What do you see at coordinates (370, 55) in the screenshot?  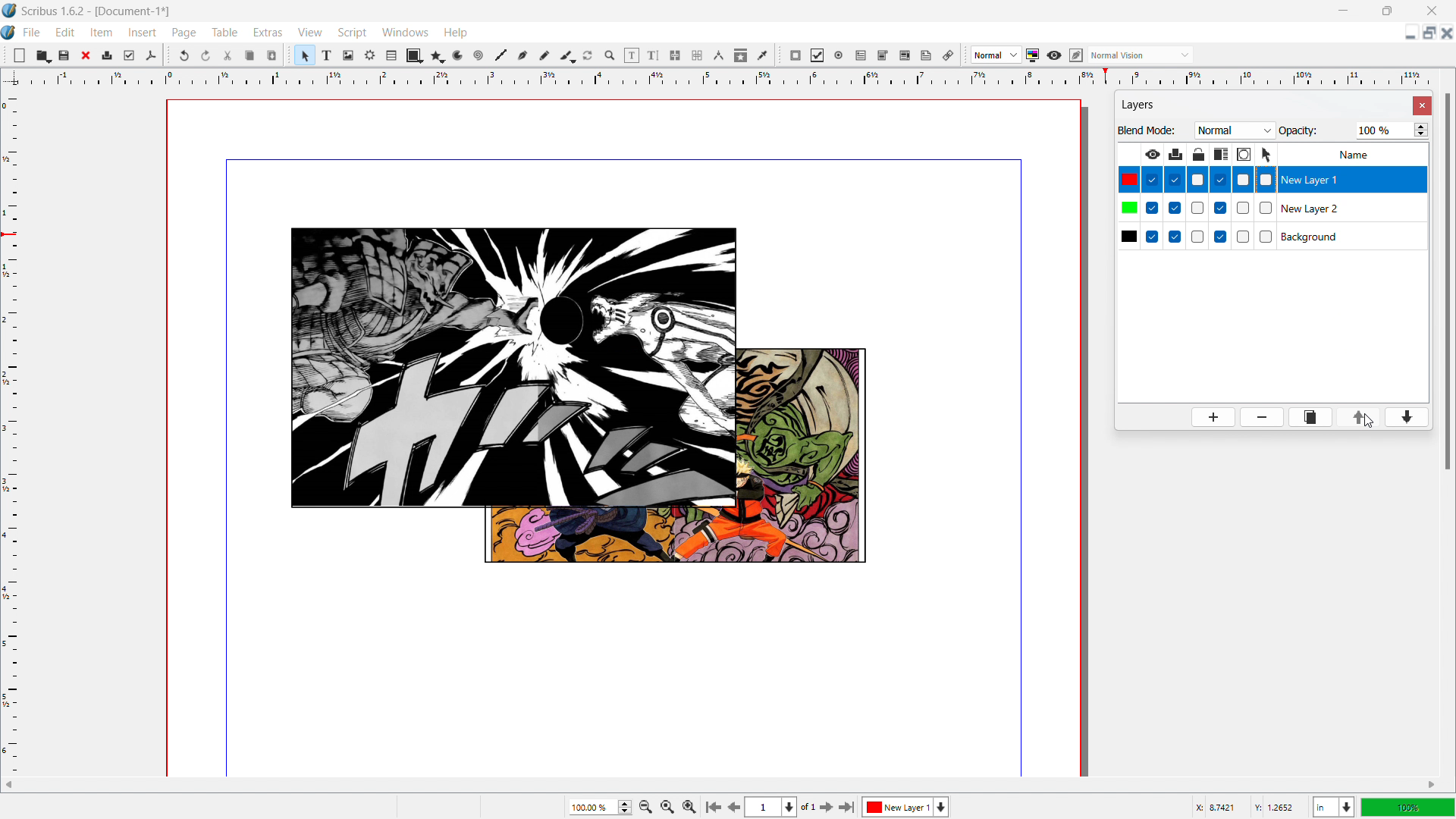 I see `render frame` at bounding box center [370, 55].